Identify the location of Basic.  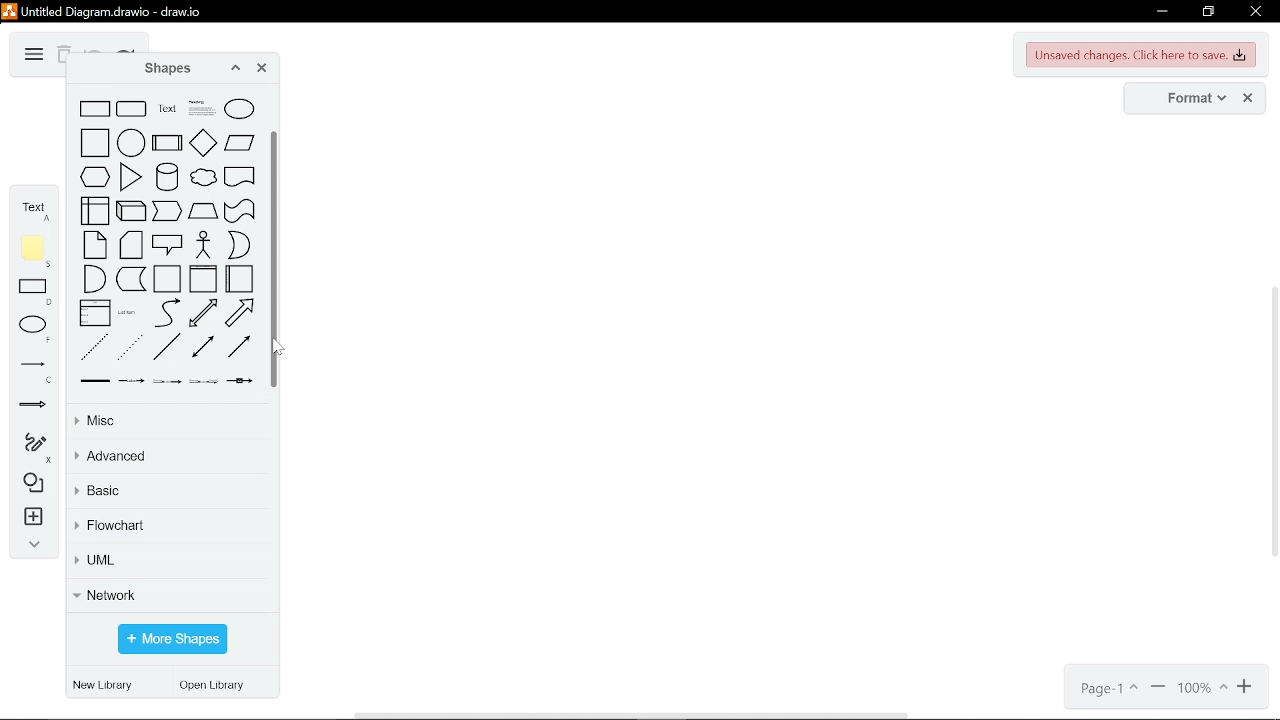
(165, 494).